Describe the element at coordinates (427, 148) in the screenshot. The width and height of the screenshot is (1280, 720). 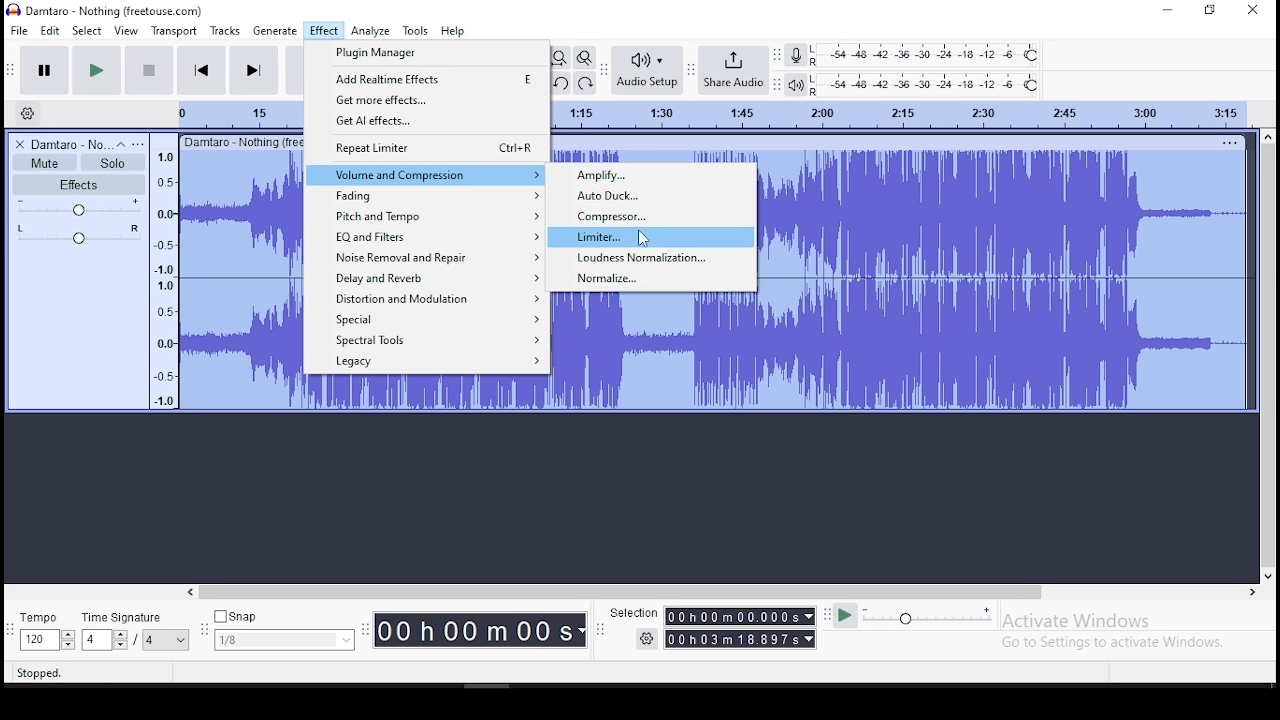
I see `repeat` at that location.